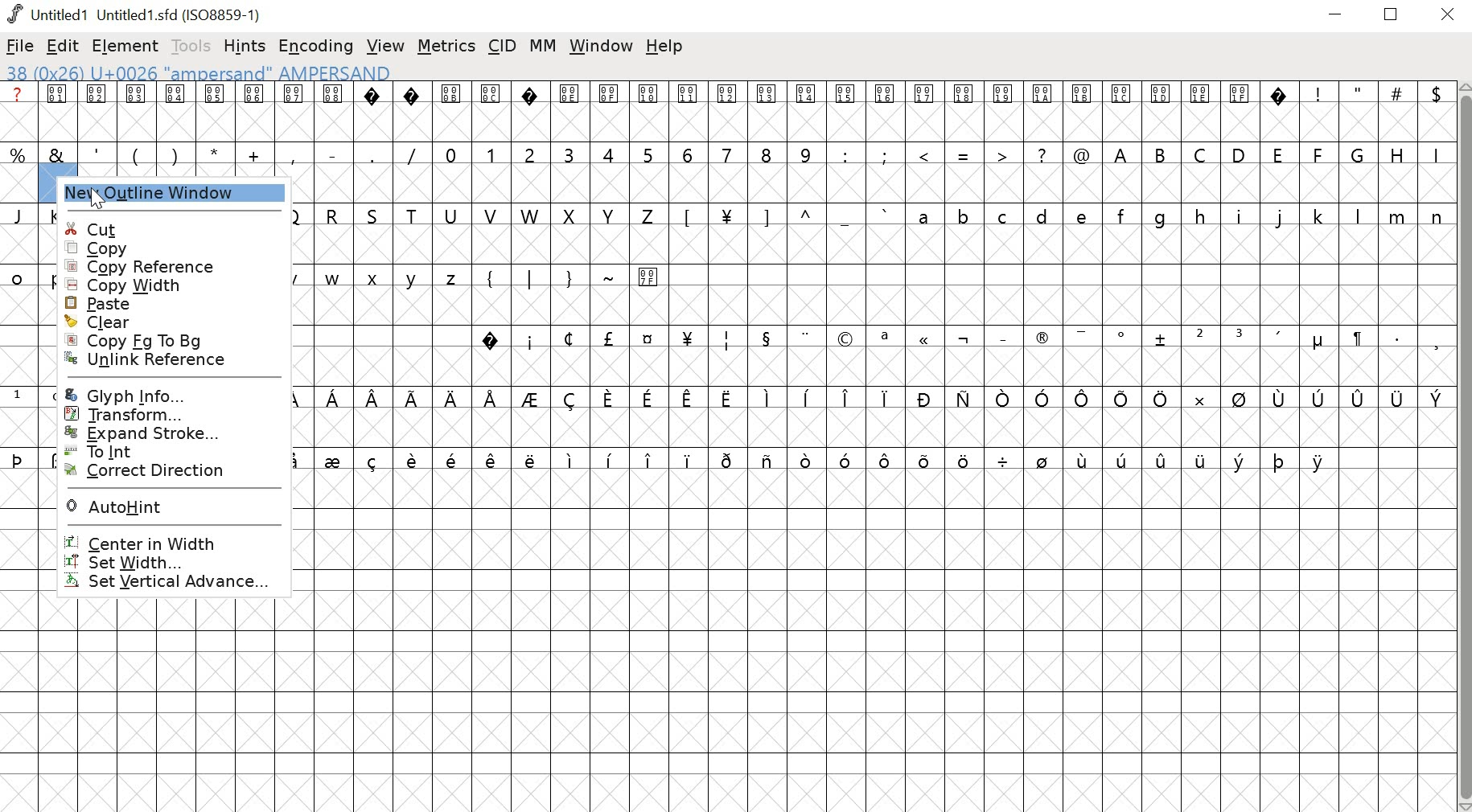 The width and height of the screenshot is (1472, 812). What do you see at coordinates (1122, 113) in the screenshot?
I see `001C` at bounding box center [1122, 113].